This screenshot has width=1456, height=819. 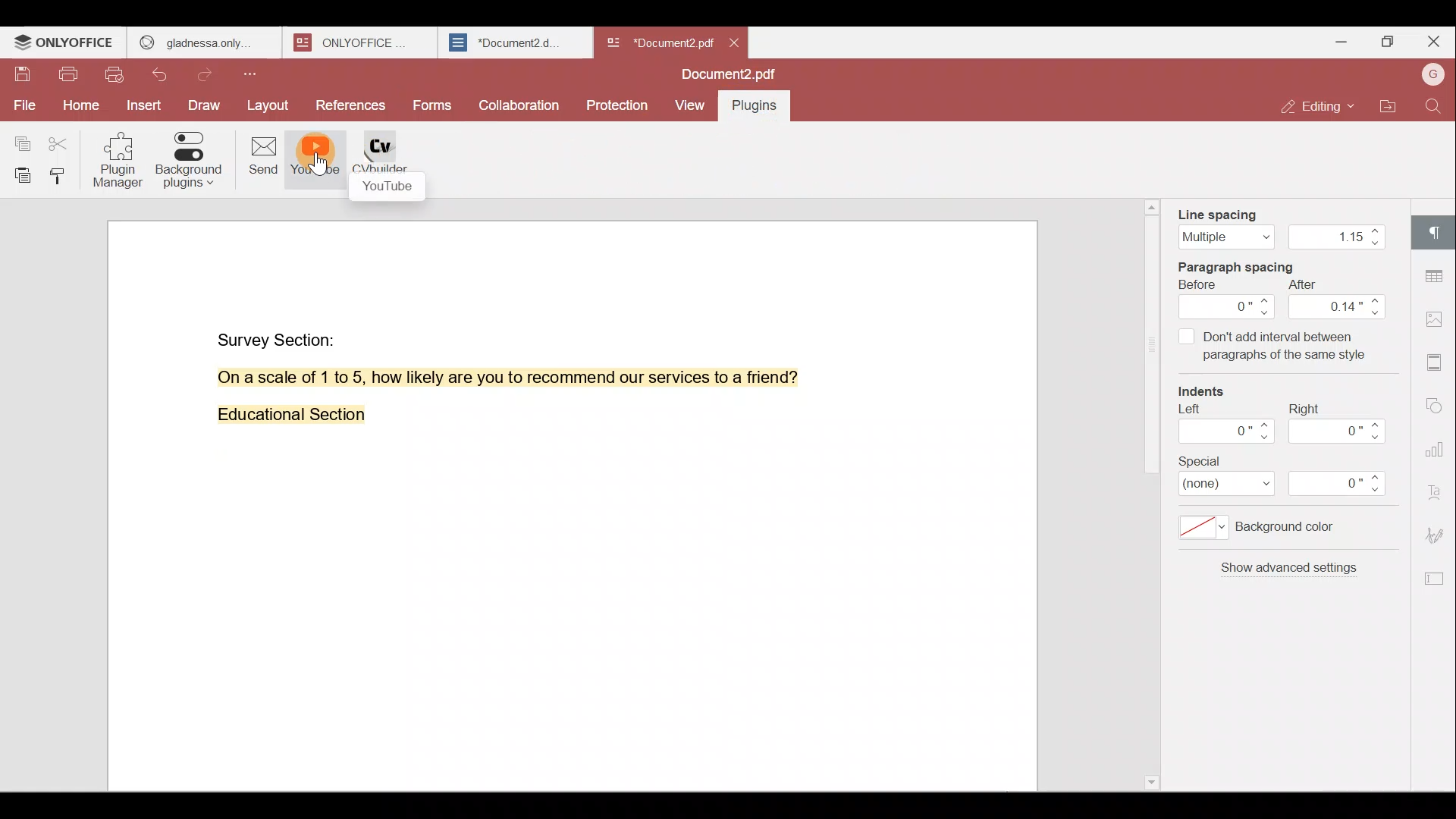 I want to click on gladness only, so click(x=204, y=42).